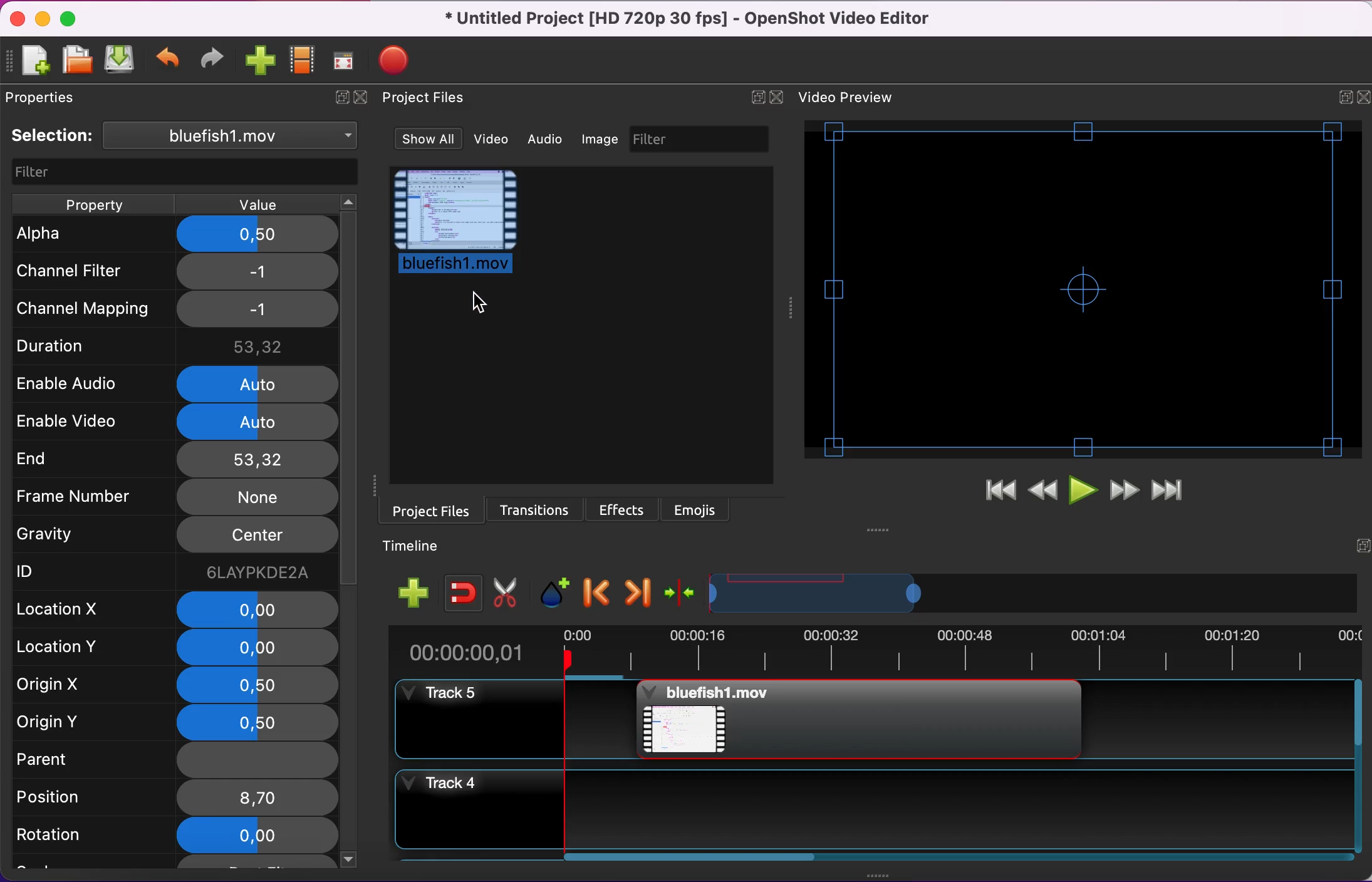  I want to click on channel filter, so click(93, 276).